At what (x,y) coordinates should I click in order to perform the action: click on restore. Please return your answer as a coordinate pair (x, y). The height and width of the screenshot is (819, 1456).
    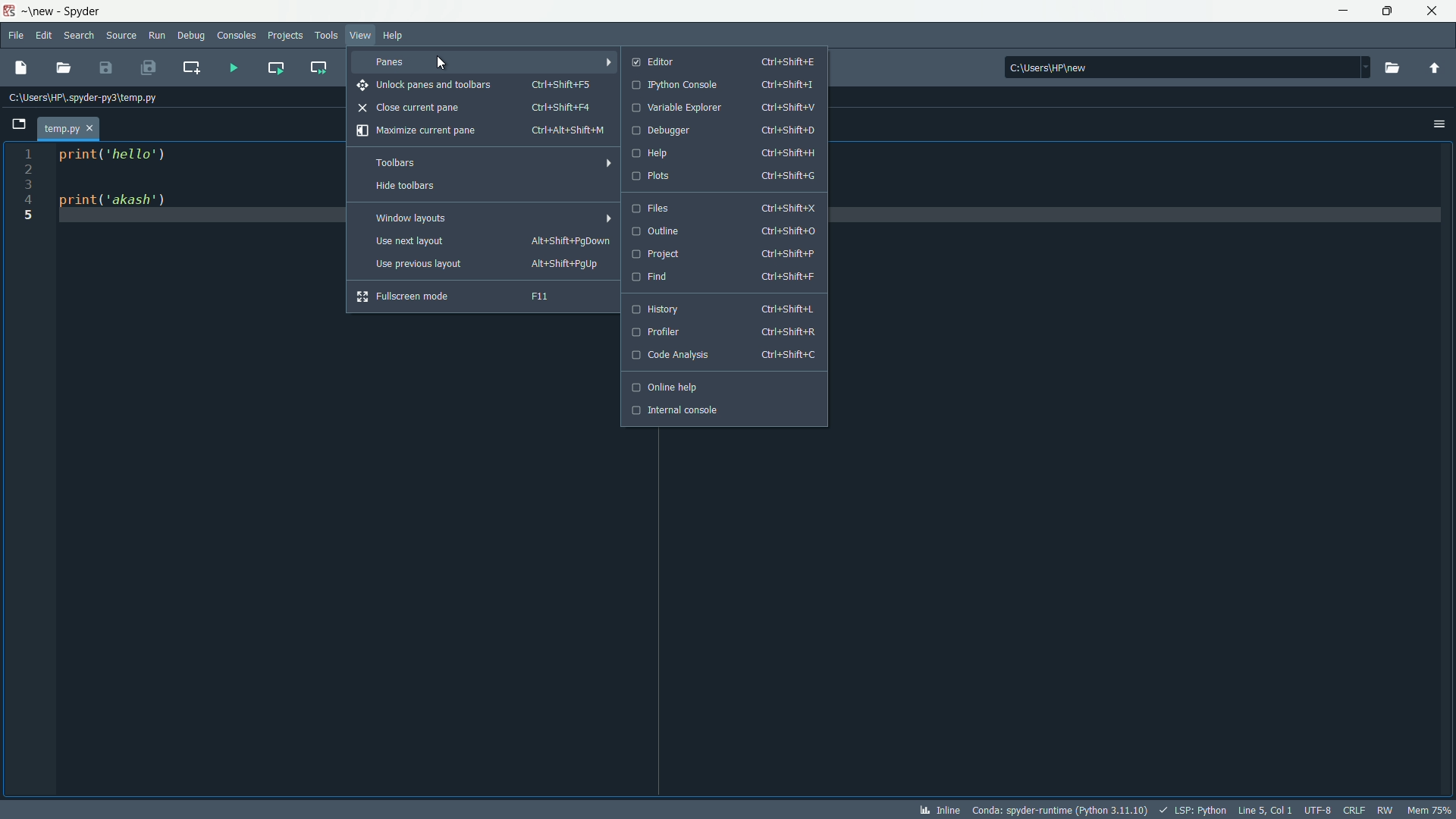
    Looking at the image, I should click on (1388, 11).